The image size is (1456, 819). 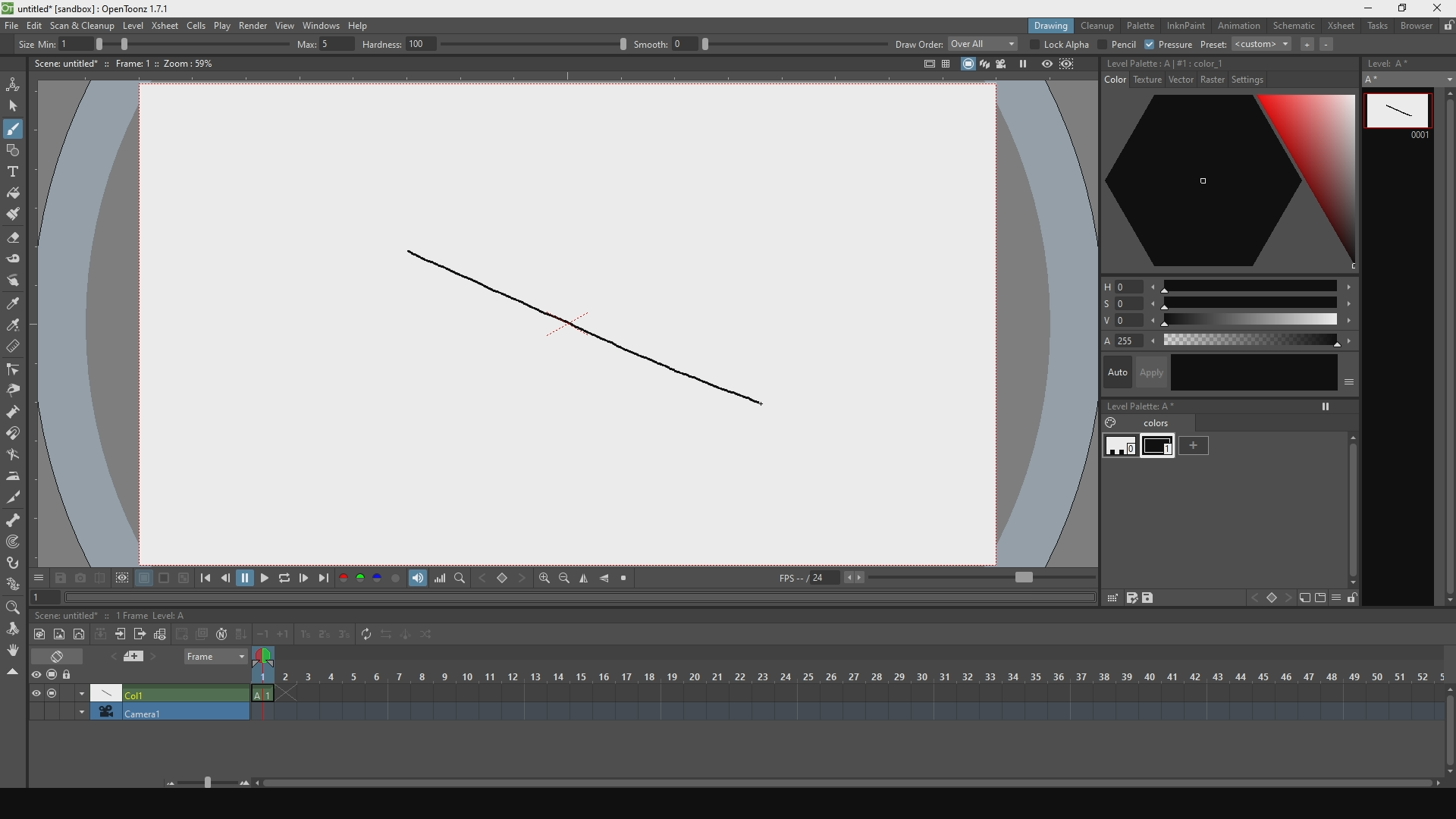 What do you see at coordinates (504, 579) in the screenshot?
I see `backward and forward` at bounding box center [504, 579].